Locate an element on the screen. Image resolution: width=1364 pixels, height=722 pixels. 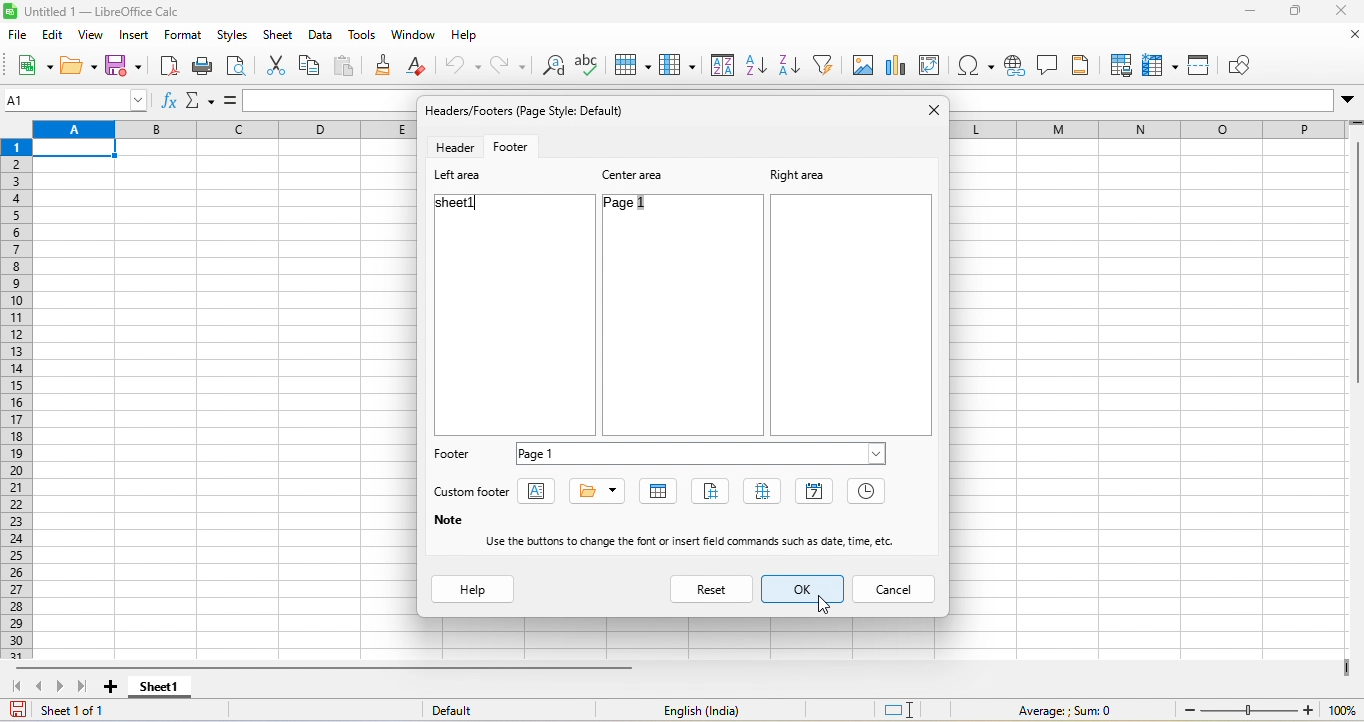
insert is located at coordinates (135, 38).